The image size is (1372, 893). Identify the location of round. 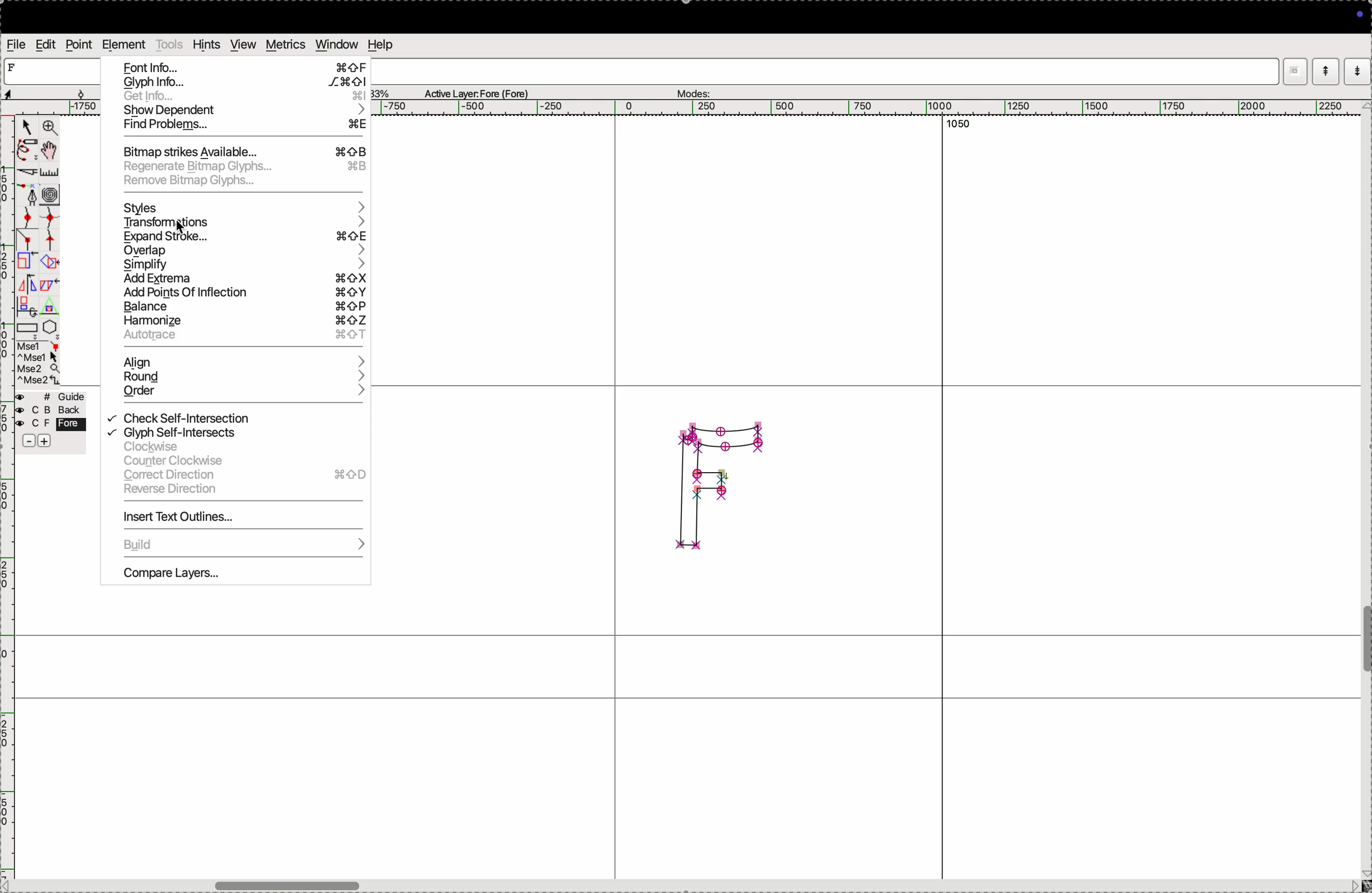
(240, 376).